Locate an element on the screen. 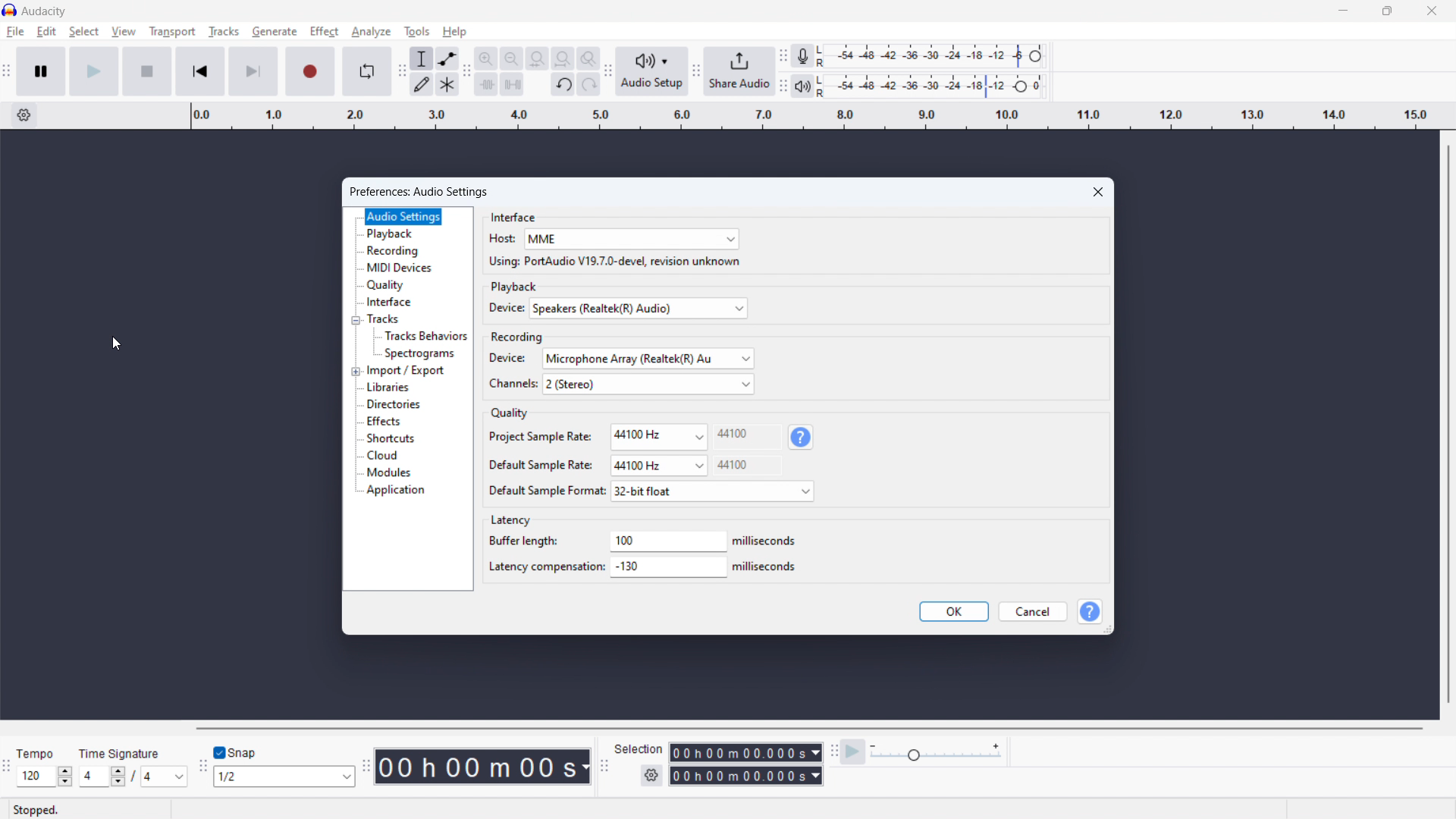 Image resolution: width=1456 pixels, height=819 pixels. audio settings is located at coordinates (404, 217).